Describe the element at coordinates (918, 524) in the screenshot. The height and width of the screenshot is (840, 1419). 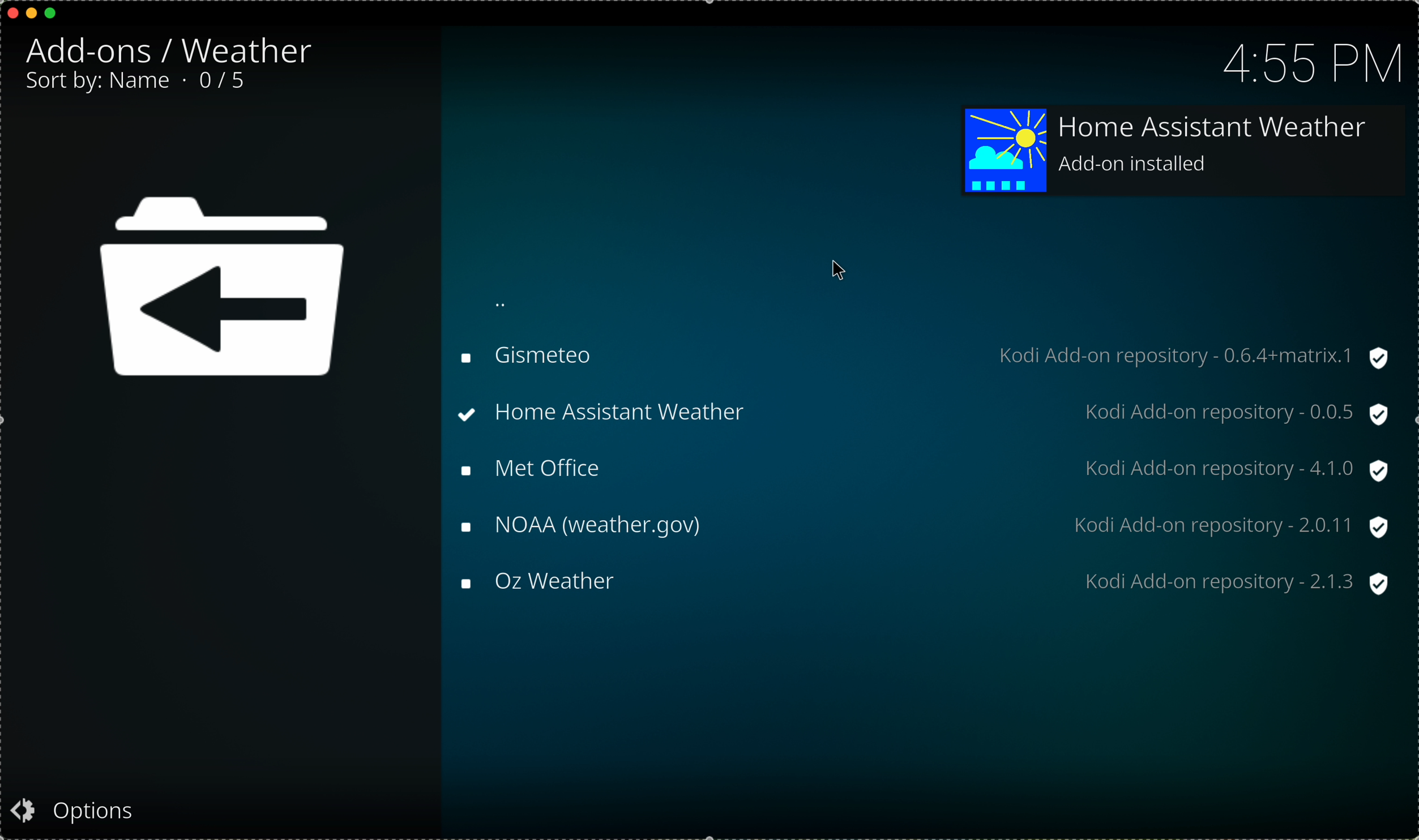
I see `NOAA` at that location.